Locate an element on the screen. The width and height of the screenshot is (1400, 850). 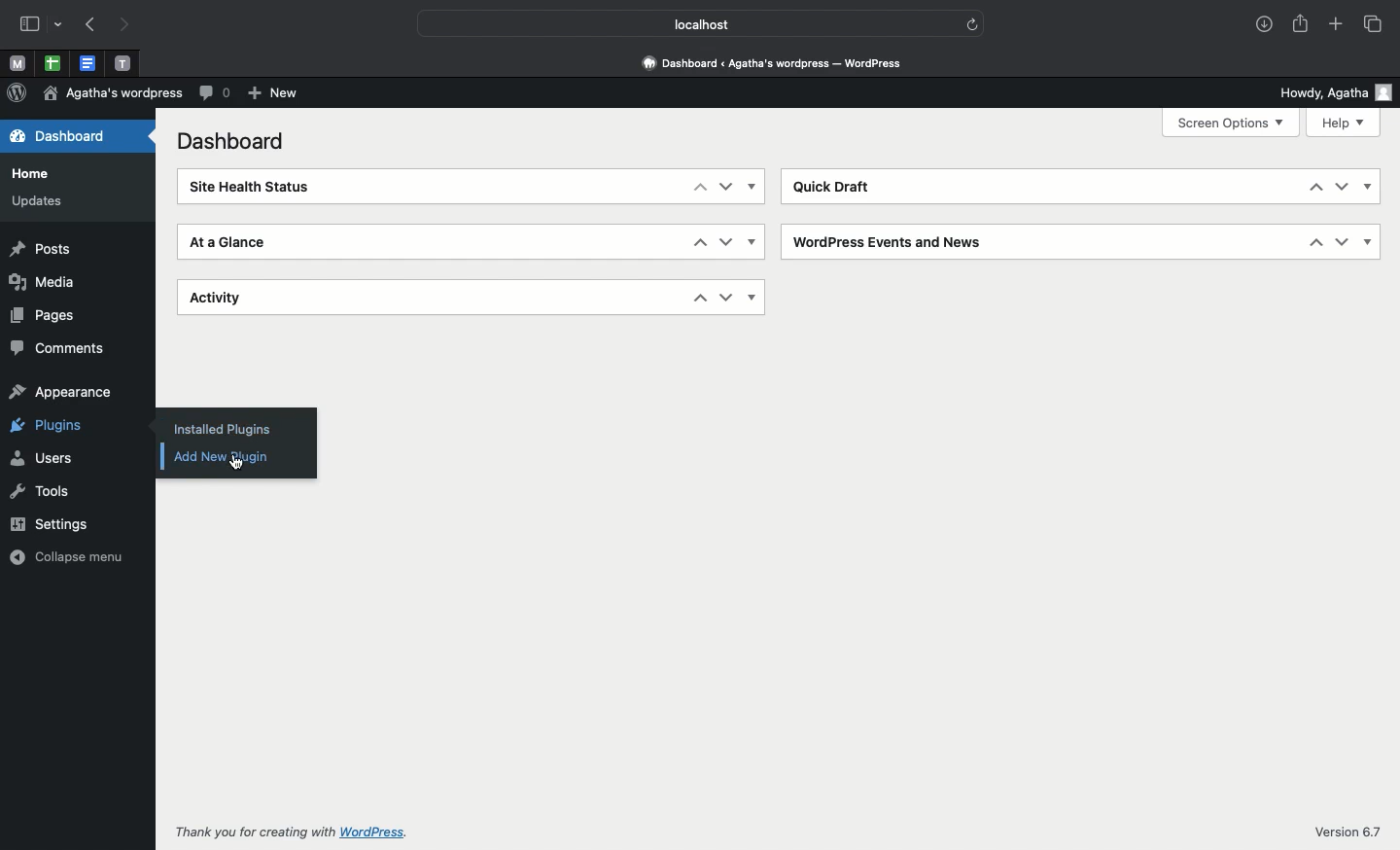
Show is located at coordinates (753, 185).